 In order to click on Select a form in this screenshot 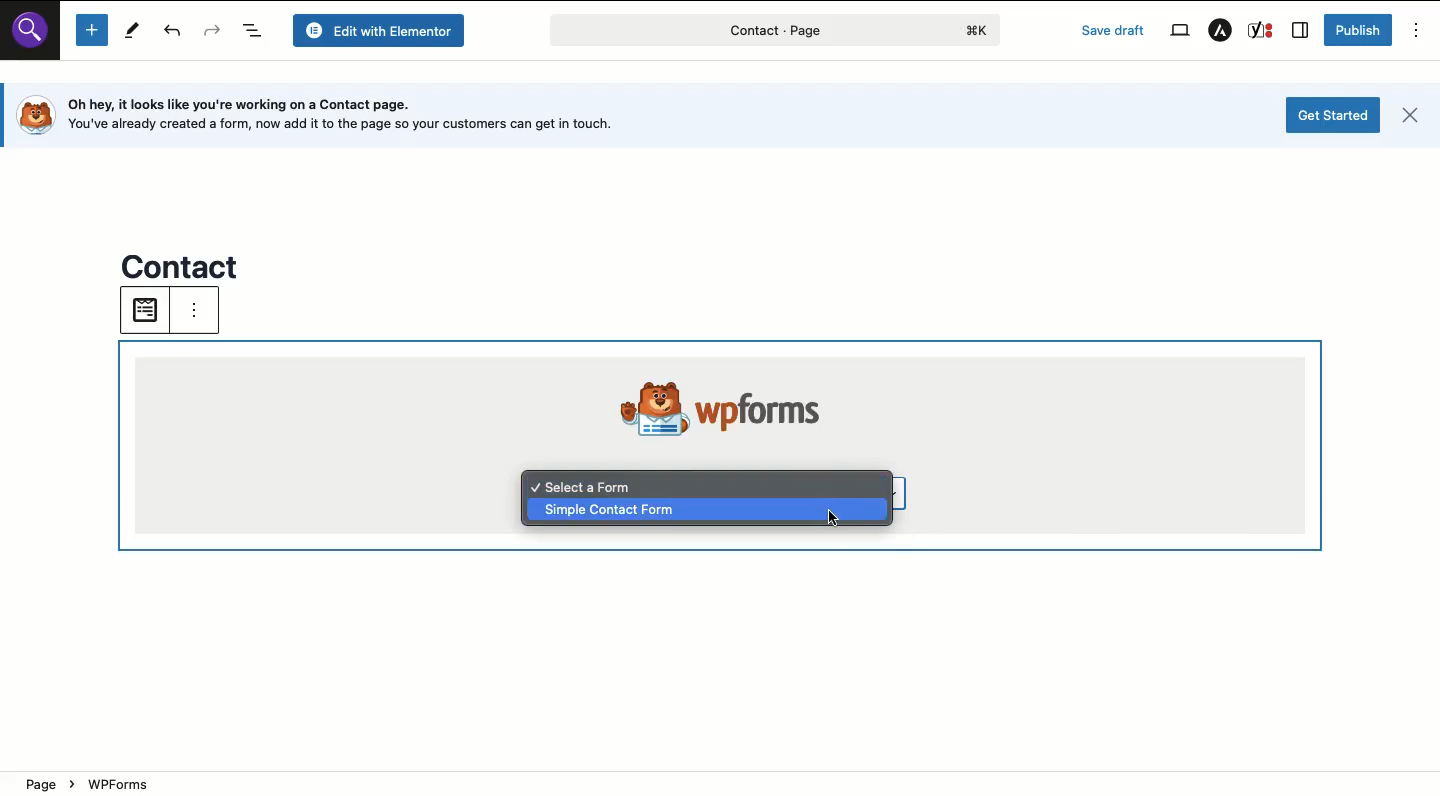, I will do `click(586, 484)`.